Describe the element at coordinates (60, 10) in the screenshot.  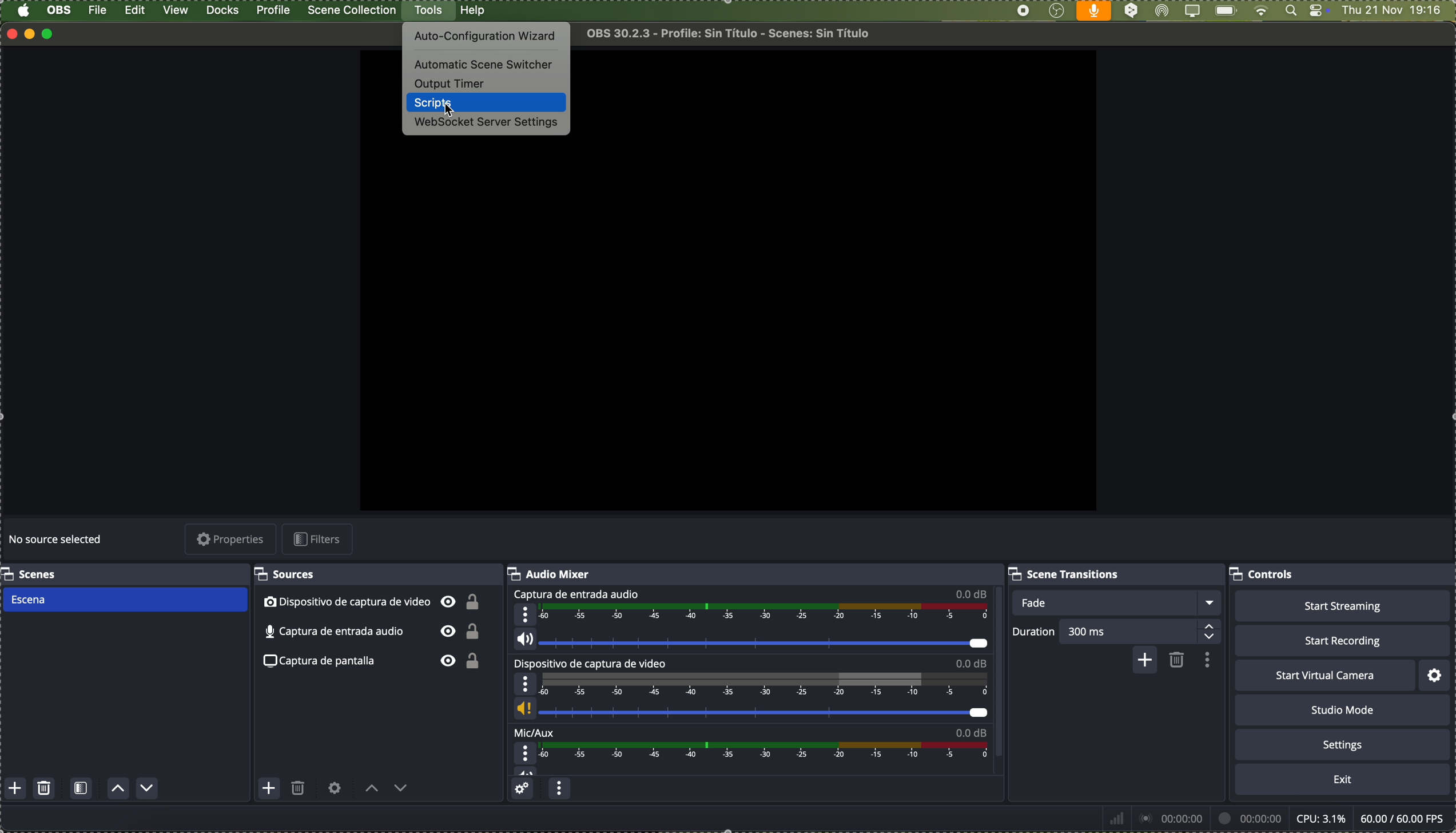
I see `OBS` at that location.